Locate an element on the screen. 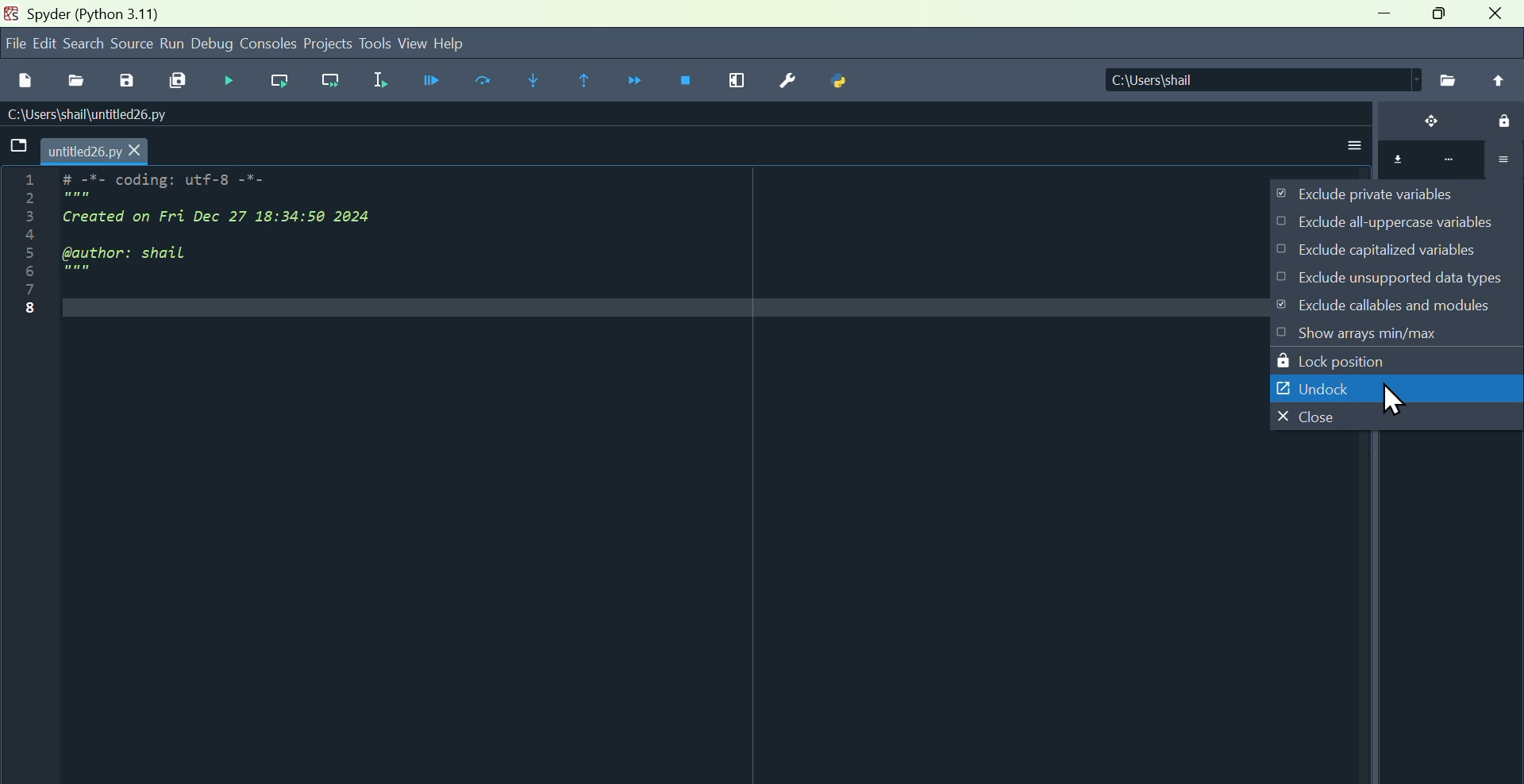 The width and height of the screenshot is (1524, 784). minimise is located at coordinates (1379, 19).